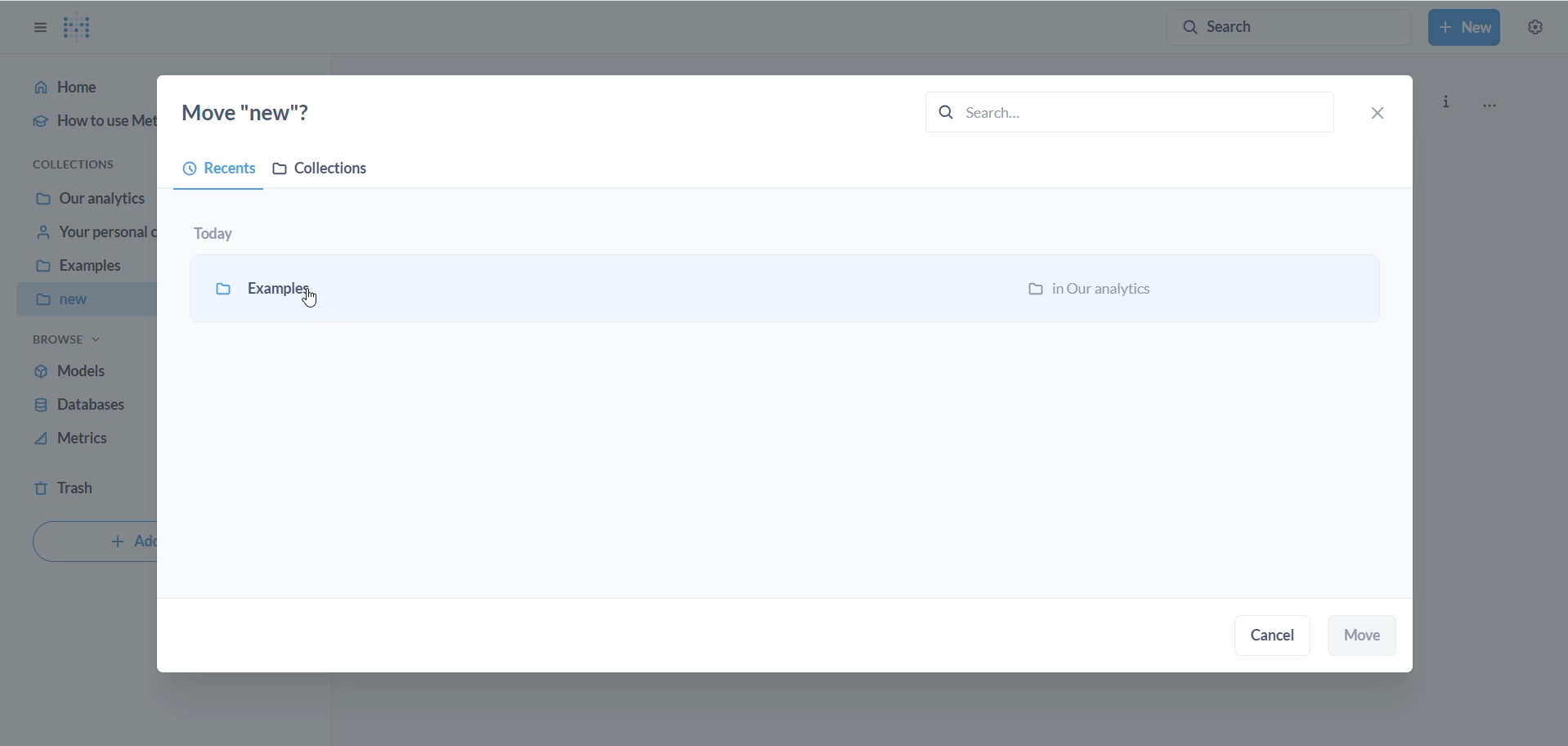 The height and width of the screenshot is (746, 1568). Describe the element at coordinates (83, 163) in the screenshot. I see `collections` at that location.